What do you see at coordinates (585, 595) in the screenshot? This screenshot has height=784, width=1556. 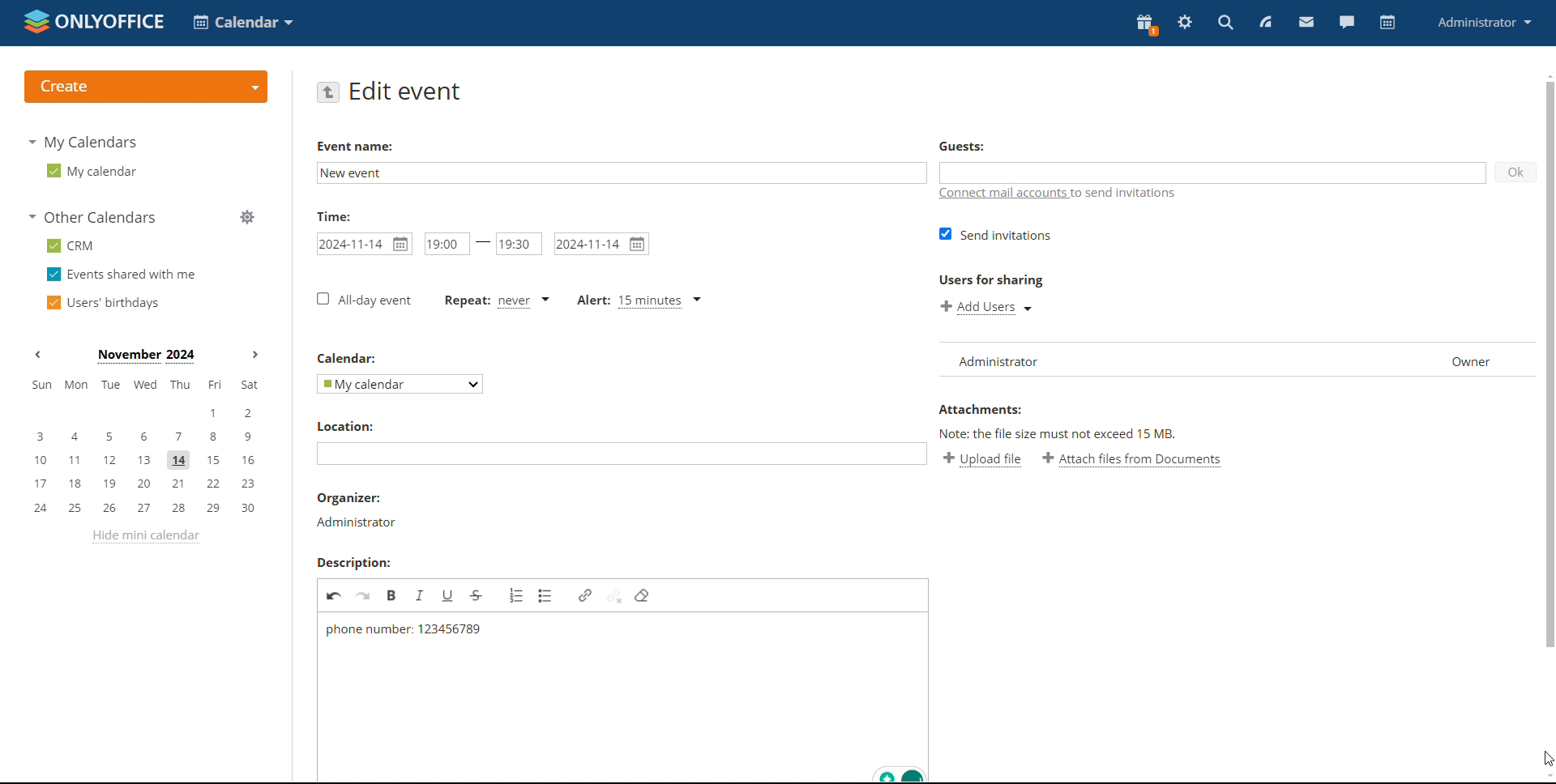 I see `link` at bounding box center [585, 595].